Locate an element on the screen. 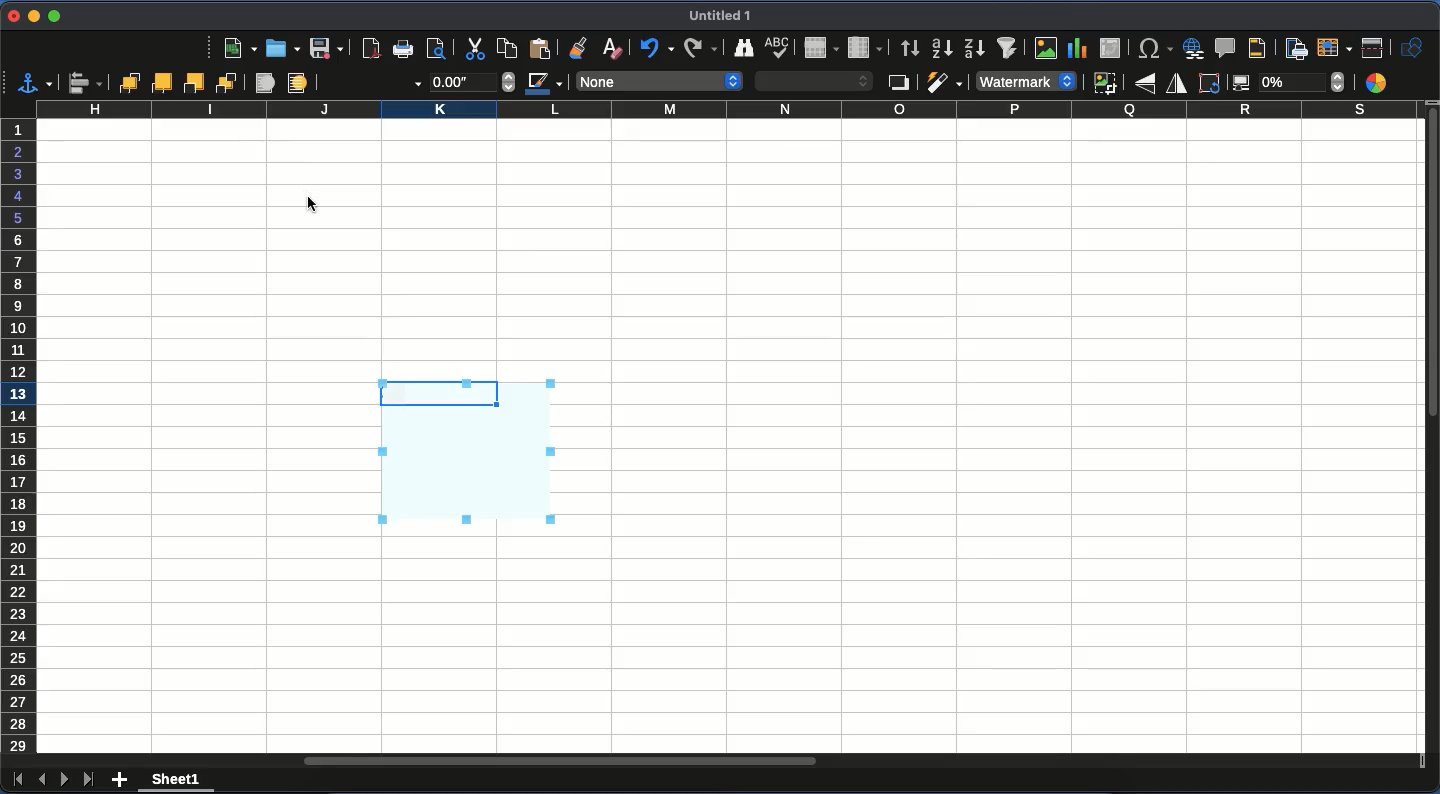 The height and width of the screenshot is (794, 1440). show draw function is located at coordinates (1412, 48).